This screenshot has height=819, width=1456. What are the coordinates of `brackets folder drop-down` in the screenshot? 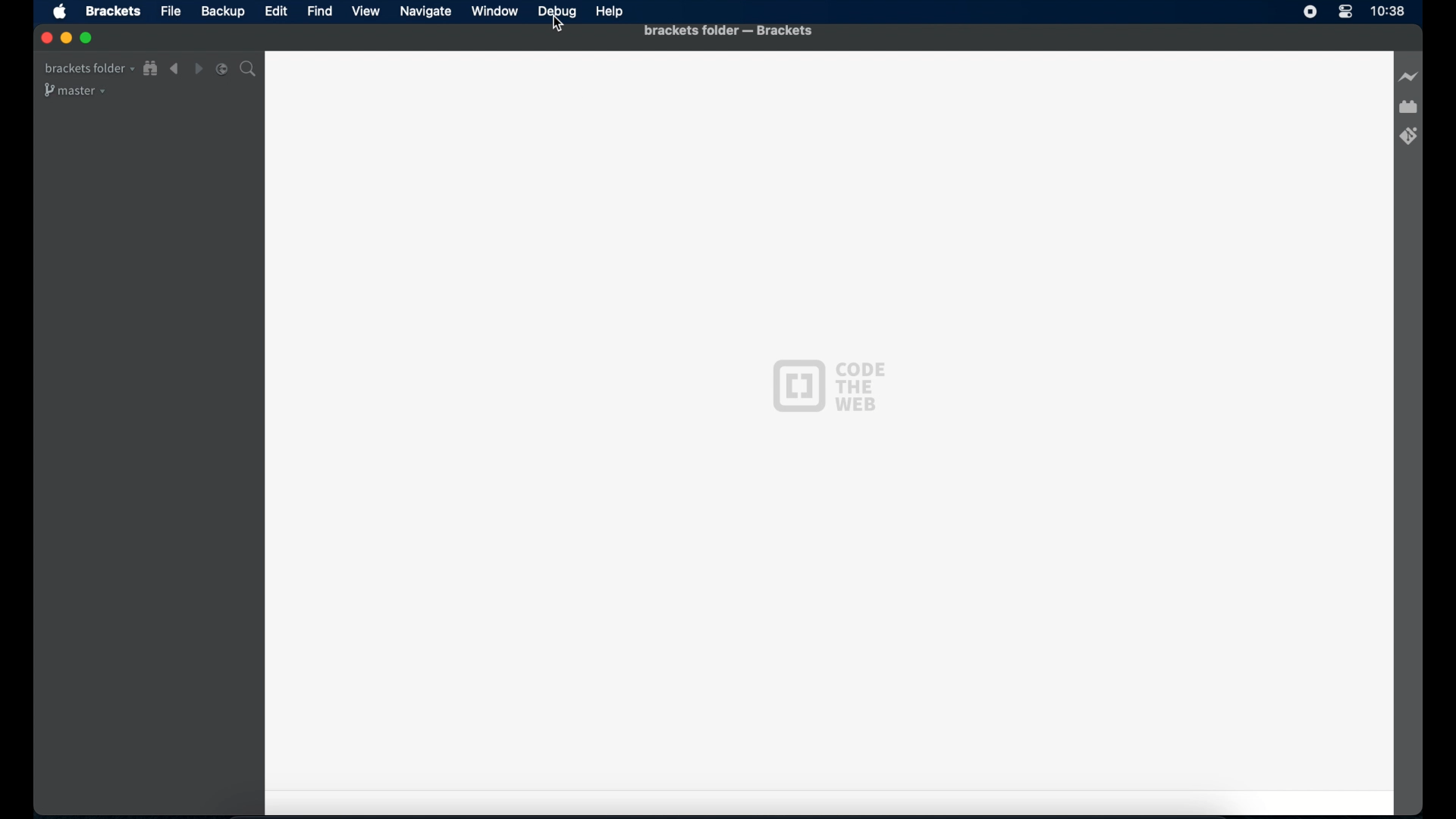 It's located at (89, 68).